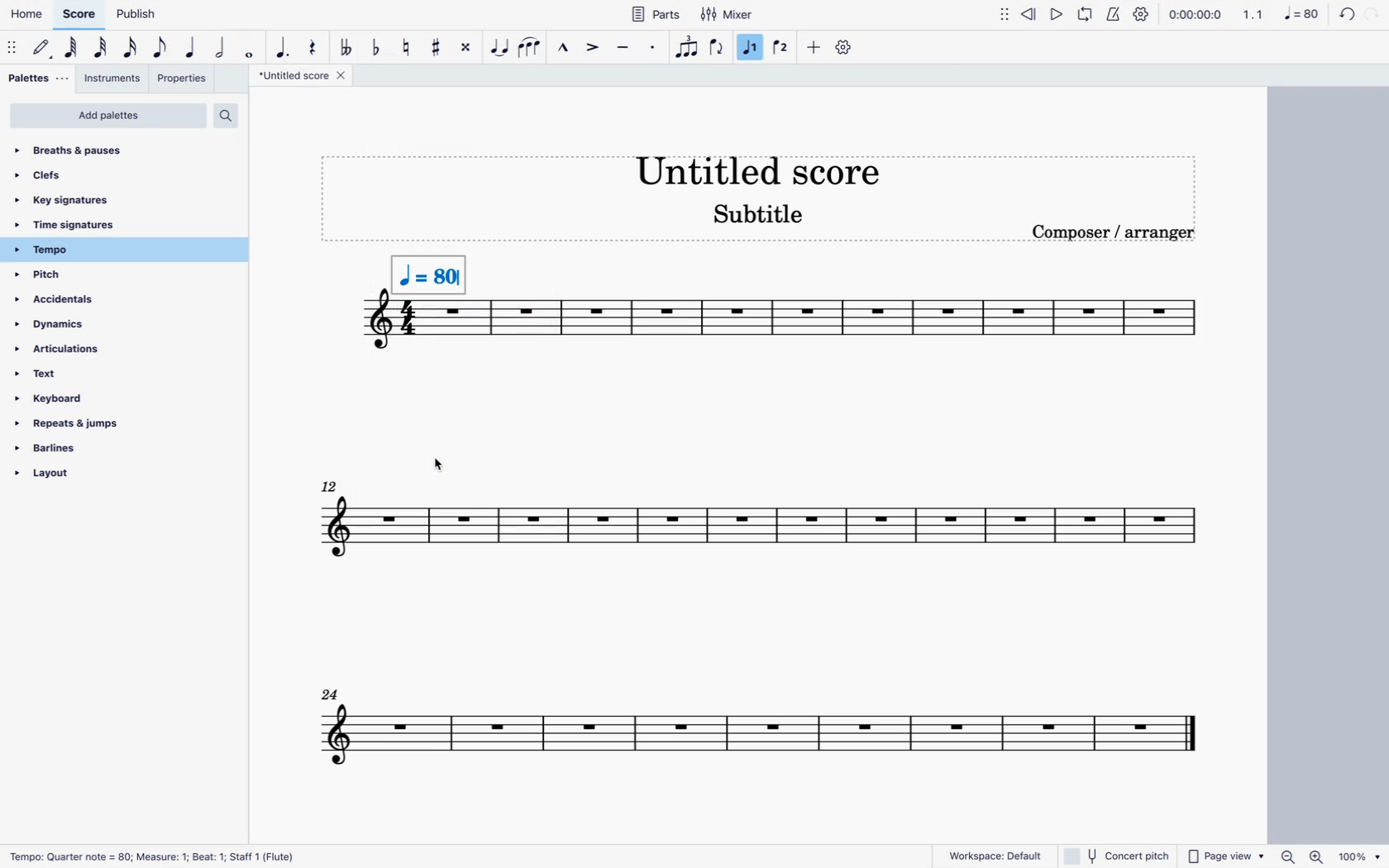 Image resolution: width=1389 pixels, height=868 pixels. Describe the element at coordinates (93, 477) in the screenshot. I see `layout` at that location.